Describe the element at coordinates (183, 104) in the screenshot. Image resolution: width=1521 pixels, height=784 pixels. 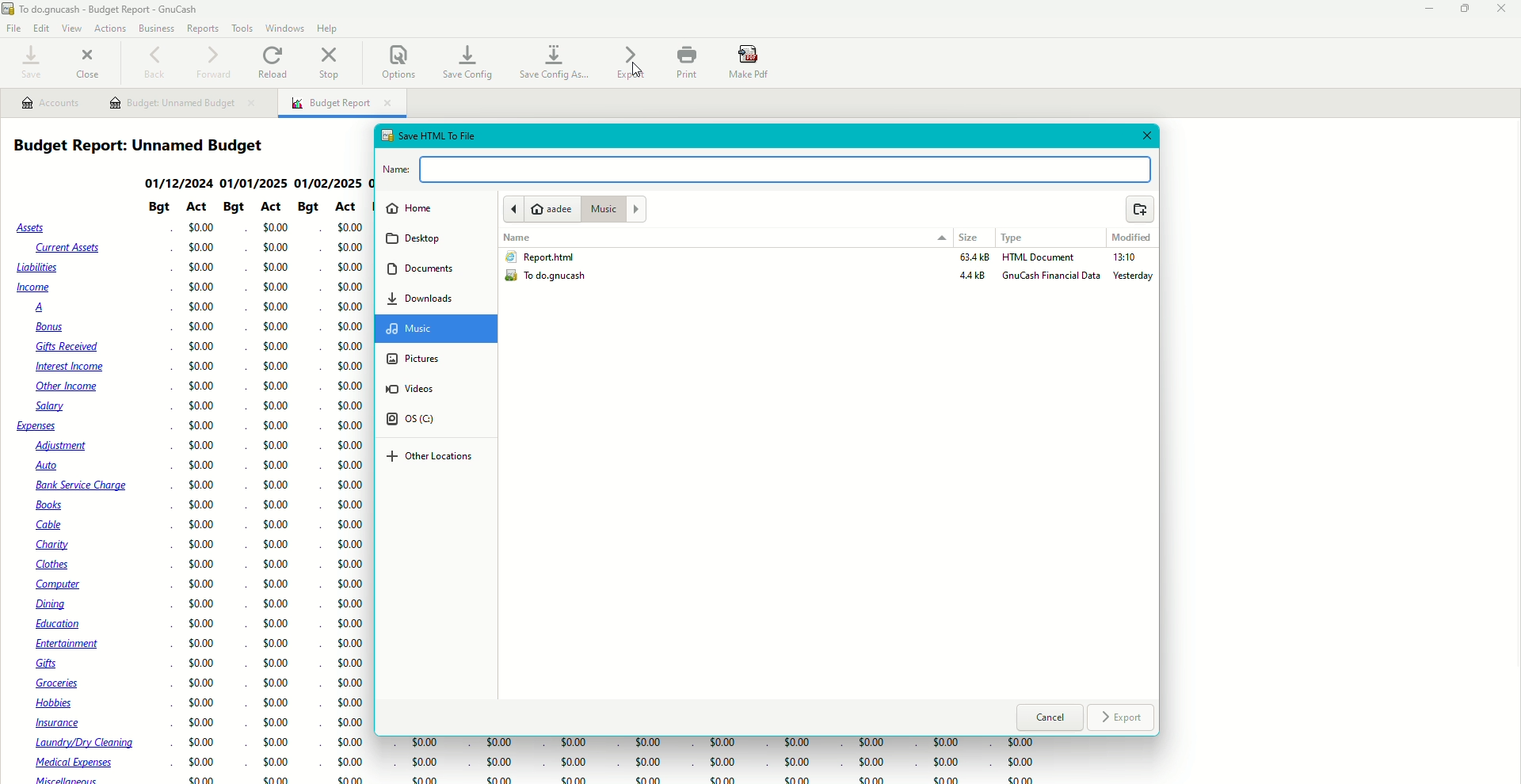
I see `Unnamed Budget` at that location.